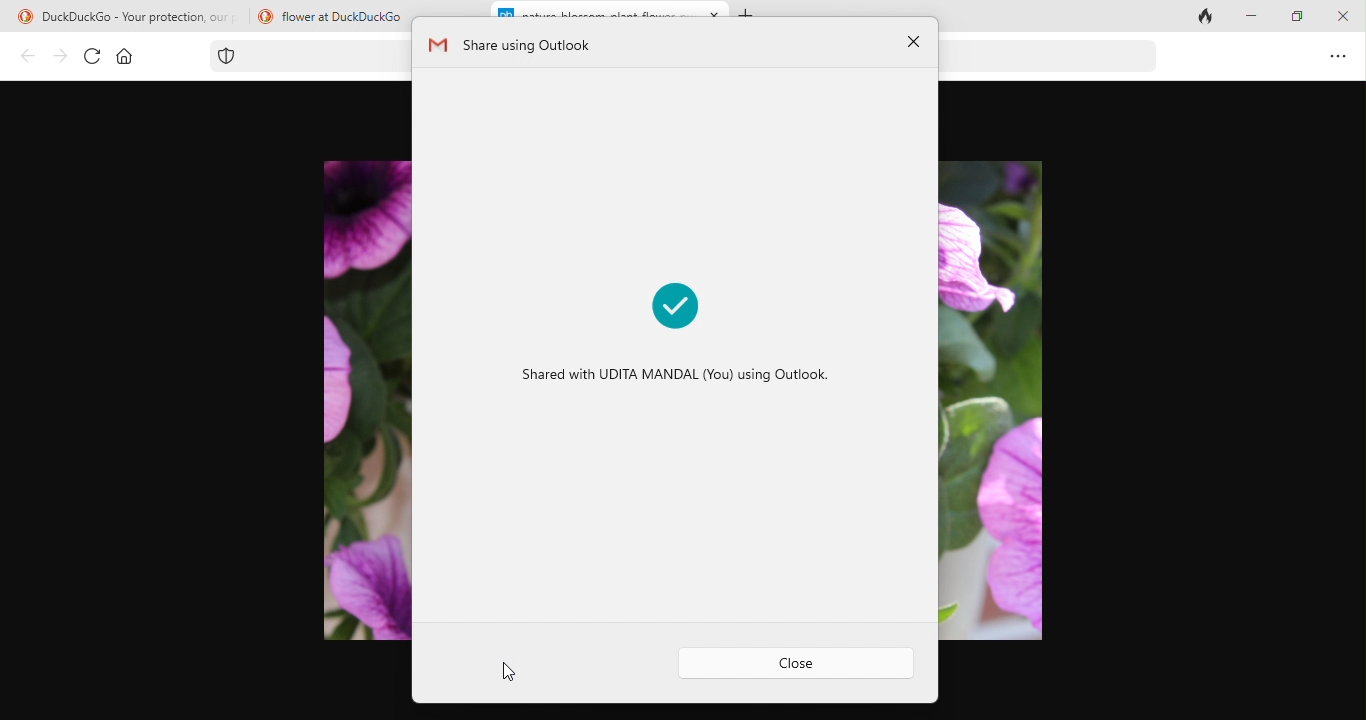 This screenshot has width=1366, height=720. I want to click on option, so click(1339, 58).